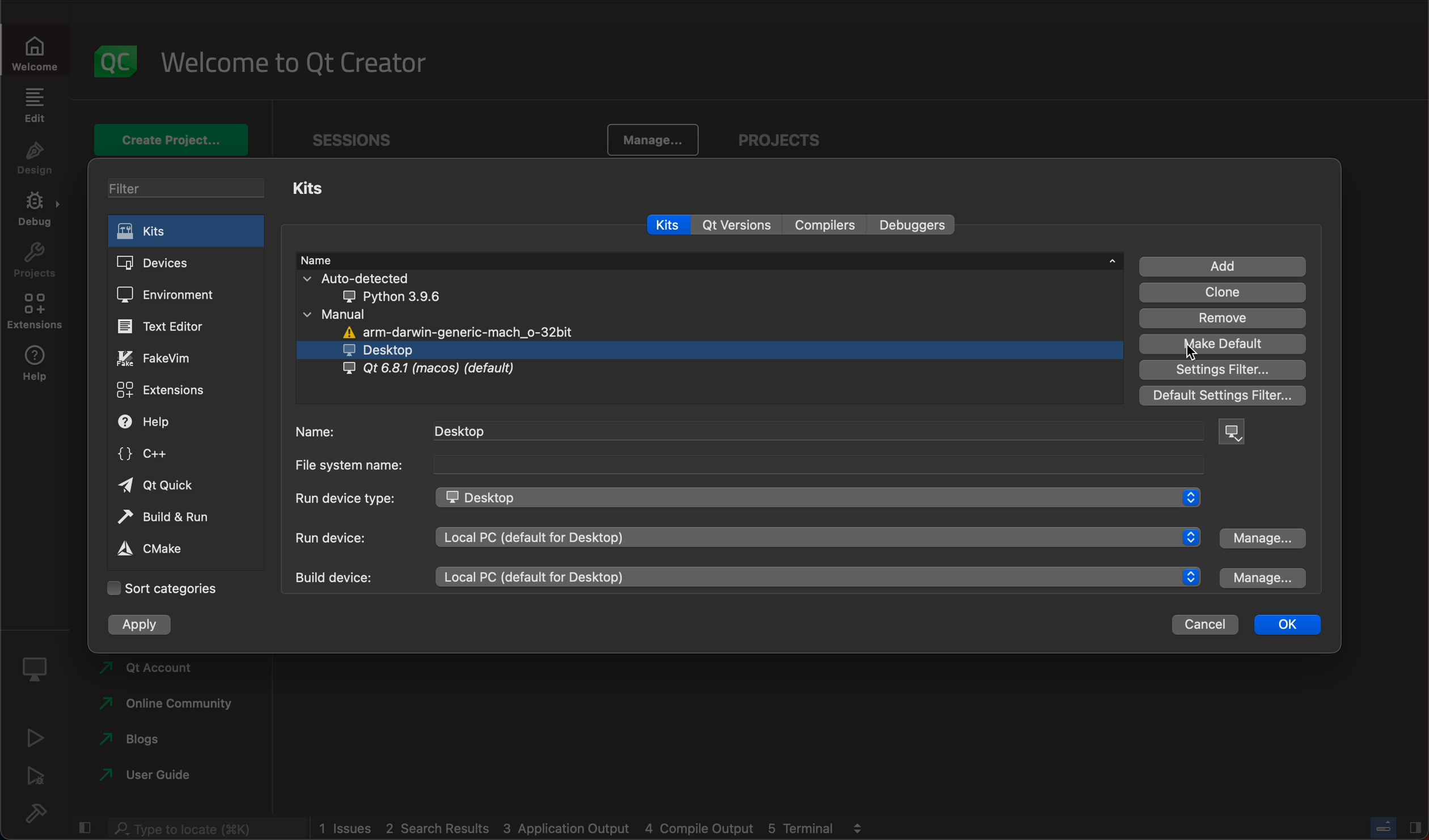 This screenshot has height=840, width=1429. Describe the element at coordinates (337, 537) in the screenshot. I see `run device:` at that location.